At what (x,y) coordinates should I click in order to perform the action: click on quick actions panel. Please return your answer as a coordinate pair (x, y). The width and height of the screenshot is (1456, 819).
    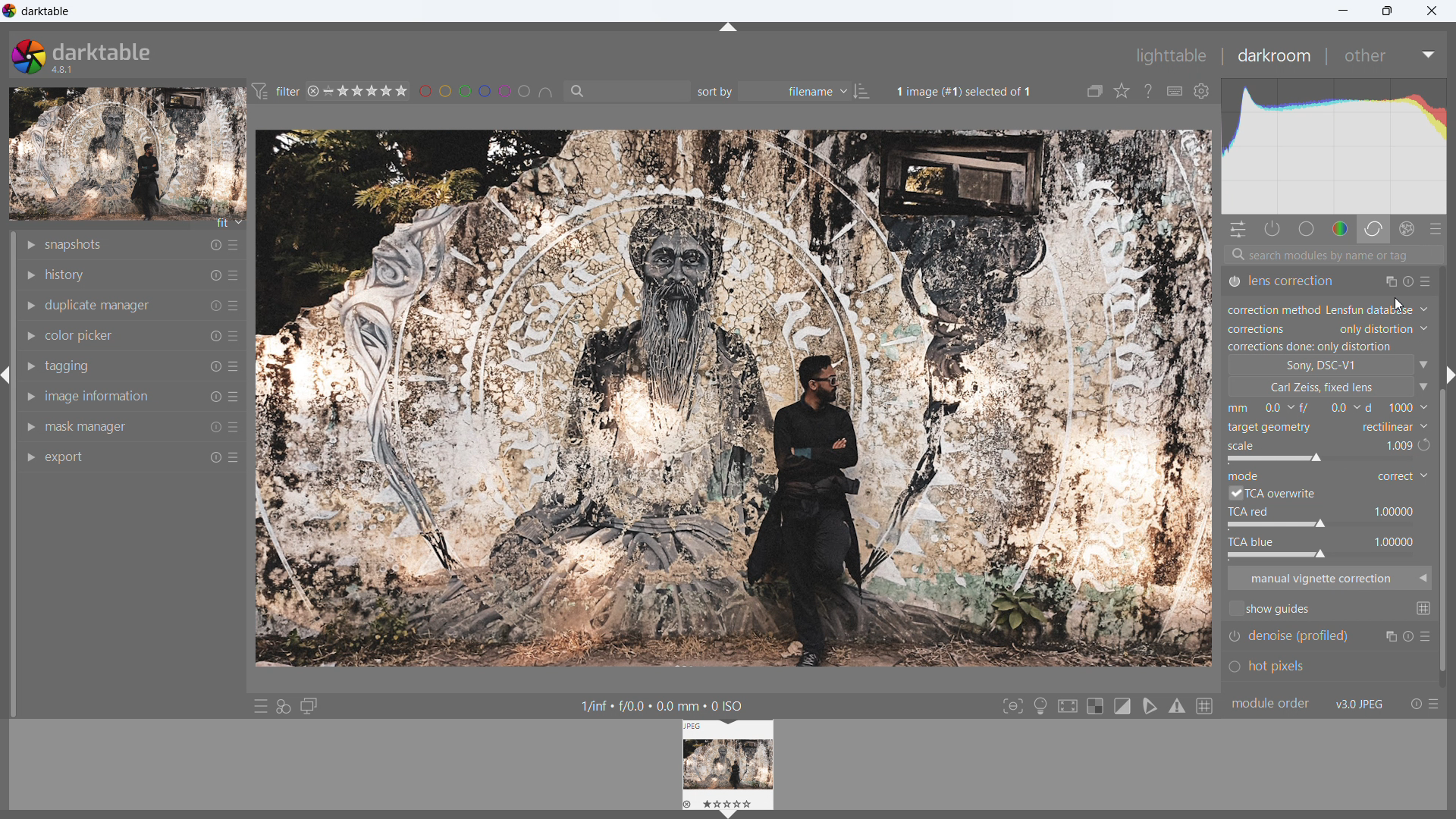
    Looking at the image, I should click on (1235, 230).